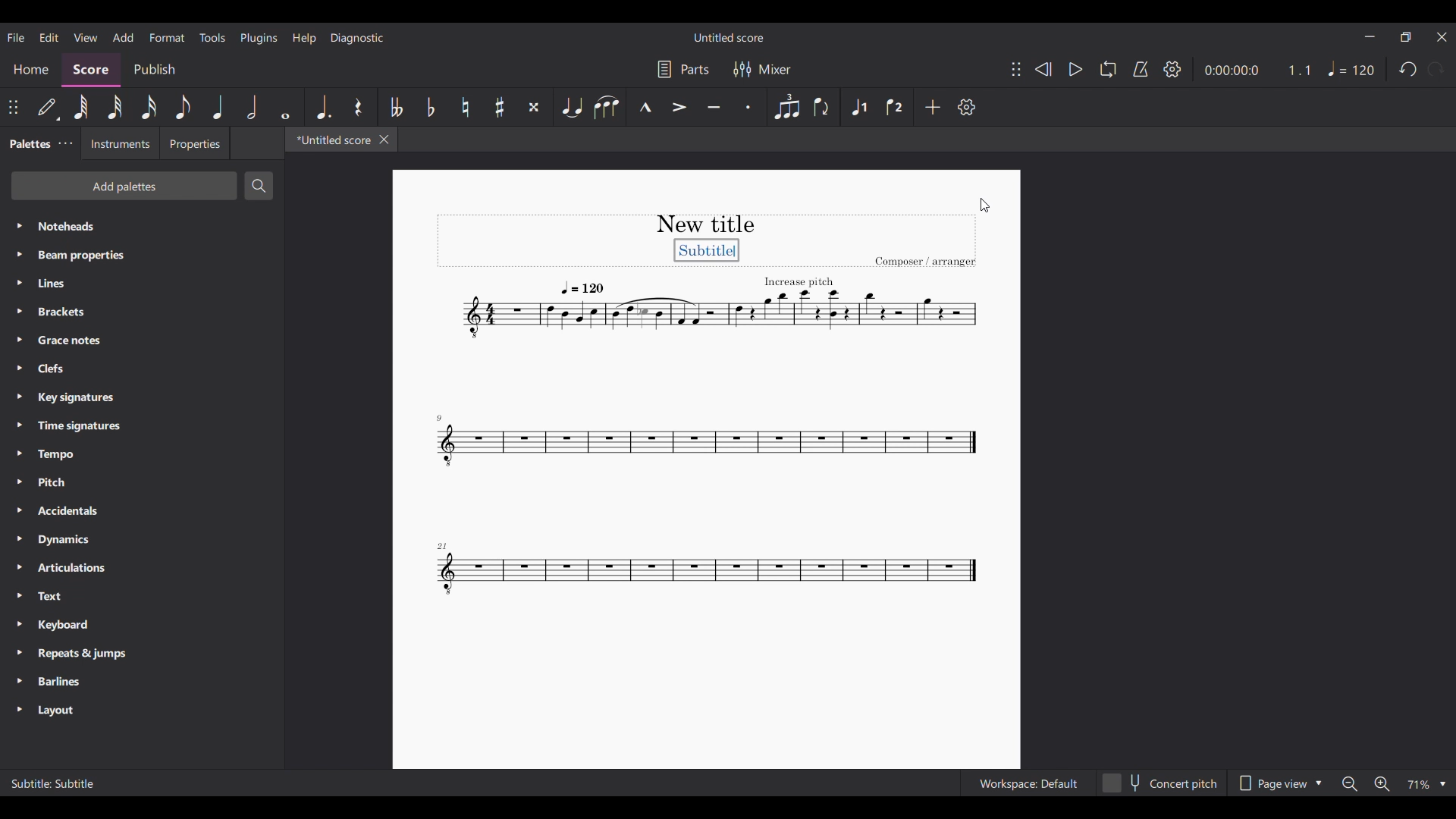 The image size is (1456, 819). I want to click on Accent, so click(679, 107).